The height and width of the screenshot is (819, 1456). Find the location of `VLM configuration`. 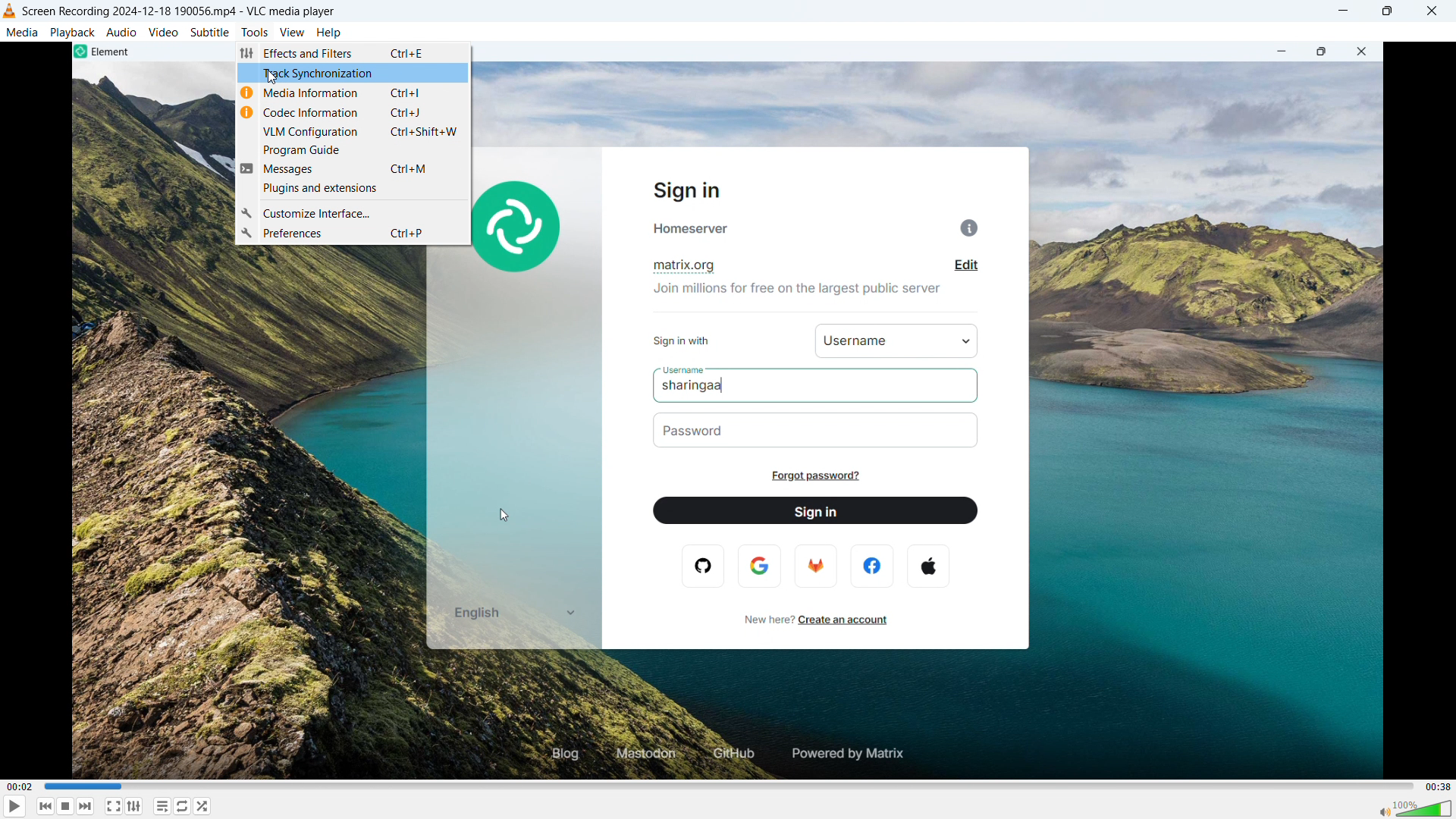

VLM configuration is located at coordinates (354, 132).